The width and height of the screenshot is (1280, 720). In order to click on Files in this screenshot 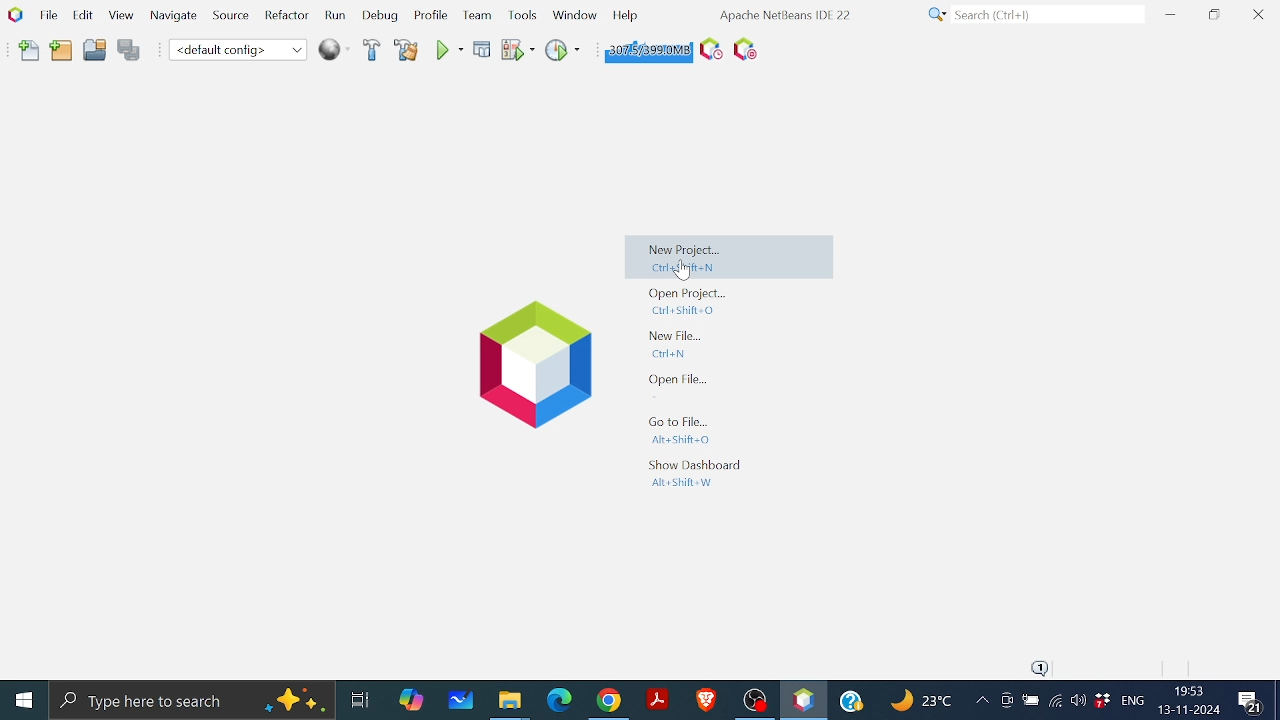, I will do `click(510, 702)`.